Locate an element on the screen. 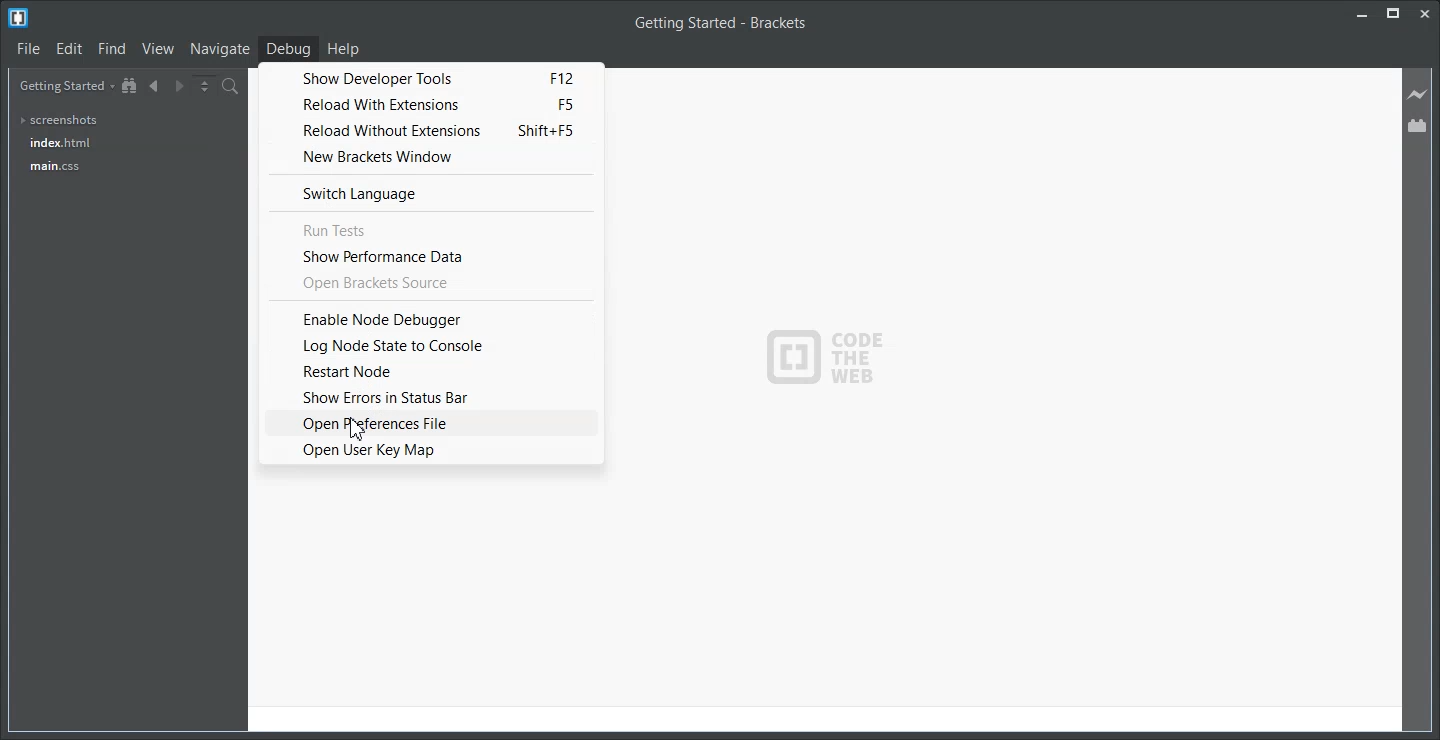 The width and height of the screenshot is (1440, 740). Log Node State to Console is located at coordinates (430, 345).